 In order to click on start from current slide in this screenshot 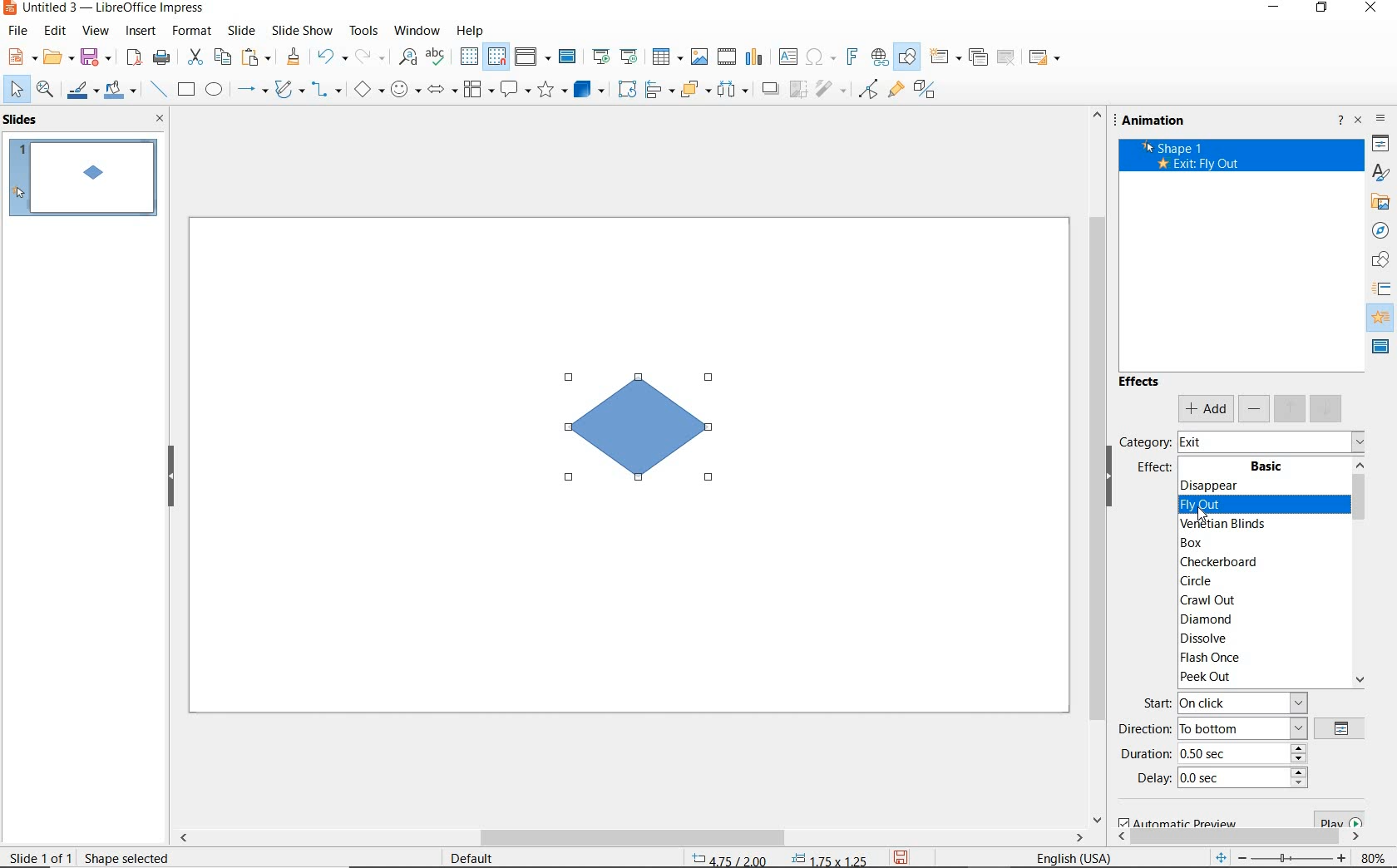, I will do `click(631, 57)`.